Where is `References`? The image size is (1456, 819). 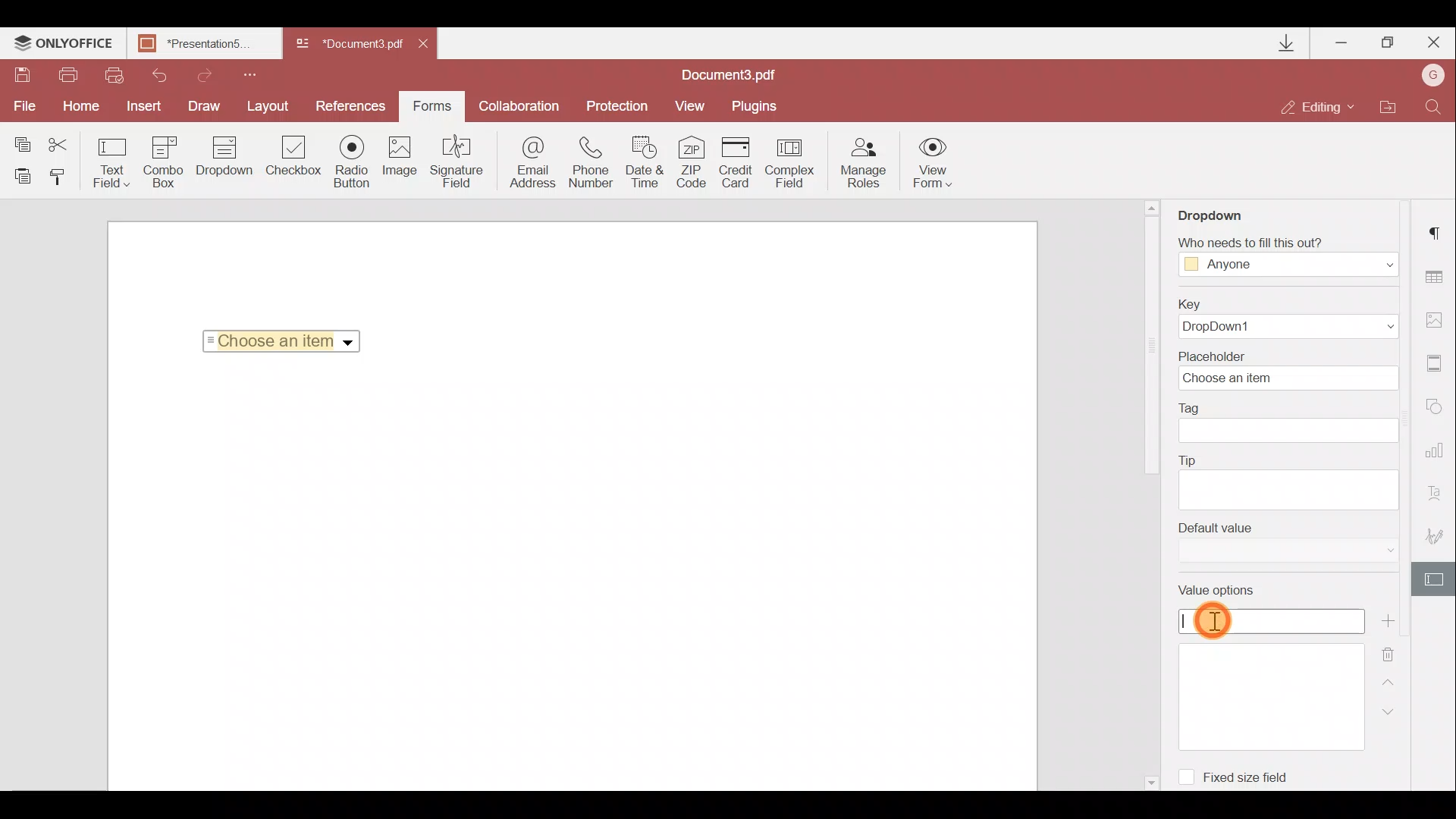
References is located at coordinates (353, 105).